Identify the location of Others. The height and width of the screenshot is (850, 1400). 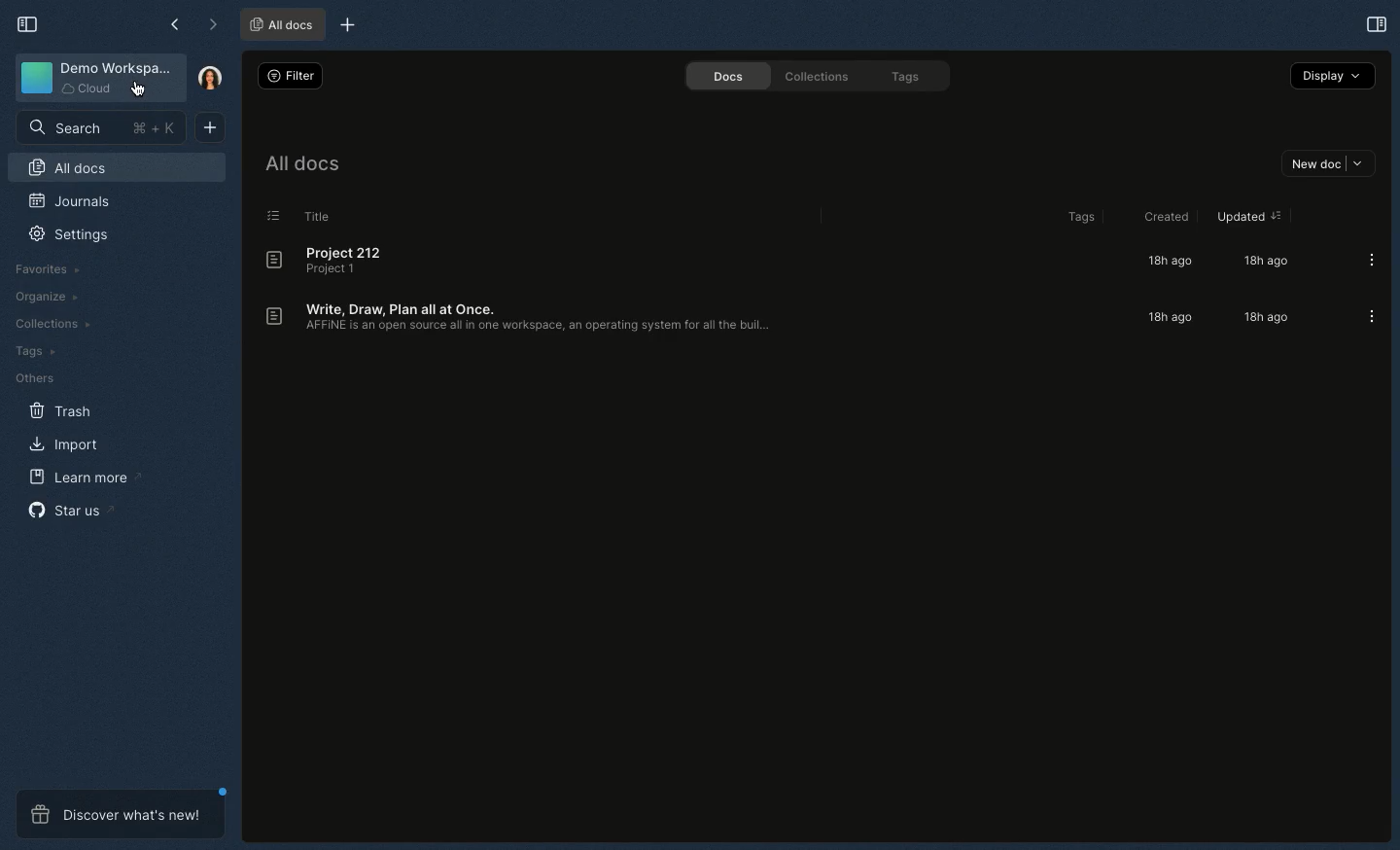
(32, 378).